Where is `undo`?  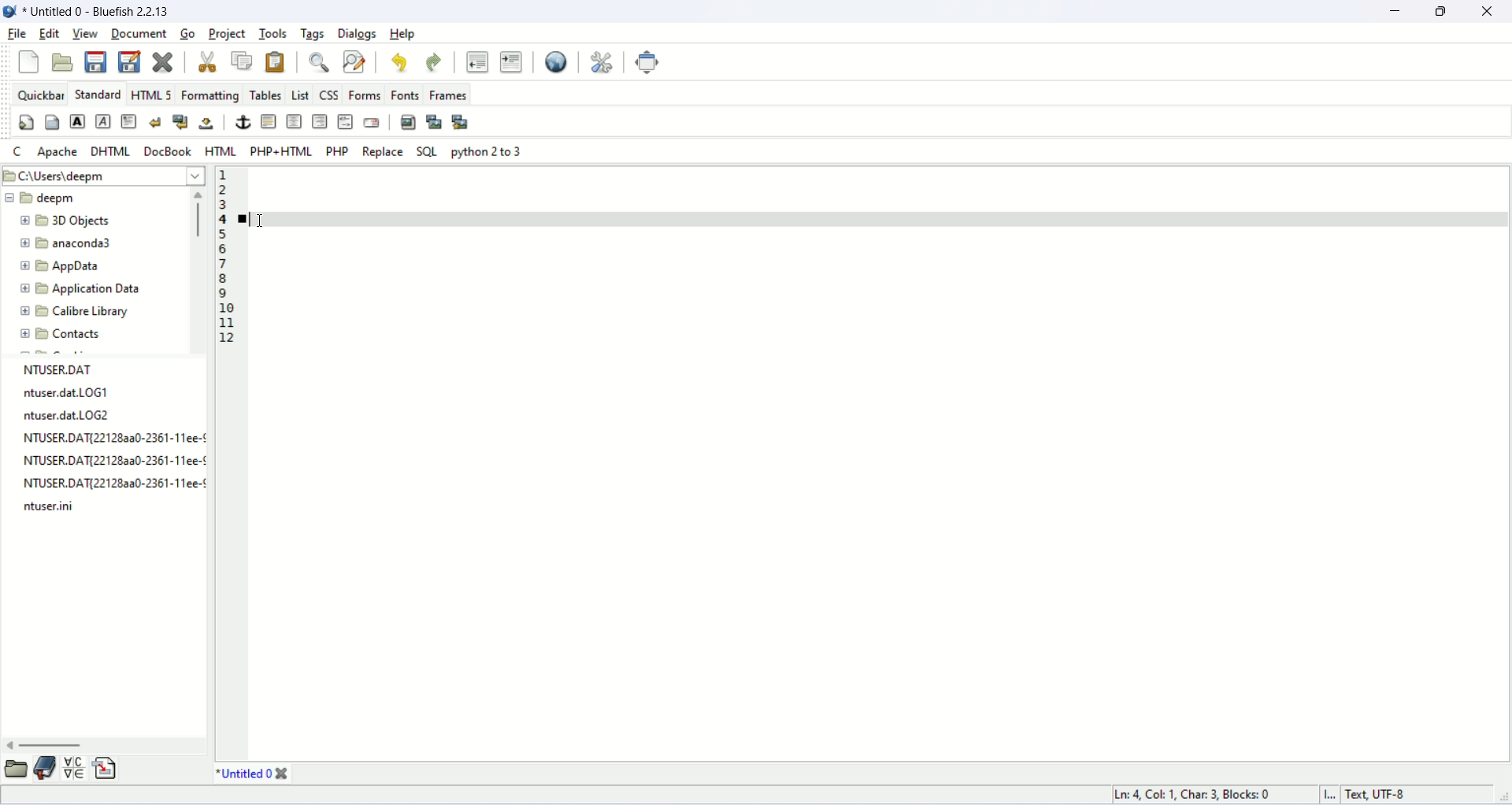
undo is located at coordinates (398, 64).